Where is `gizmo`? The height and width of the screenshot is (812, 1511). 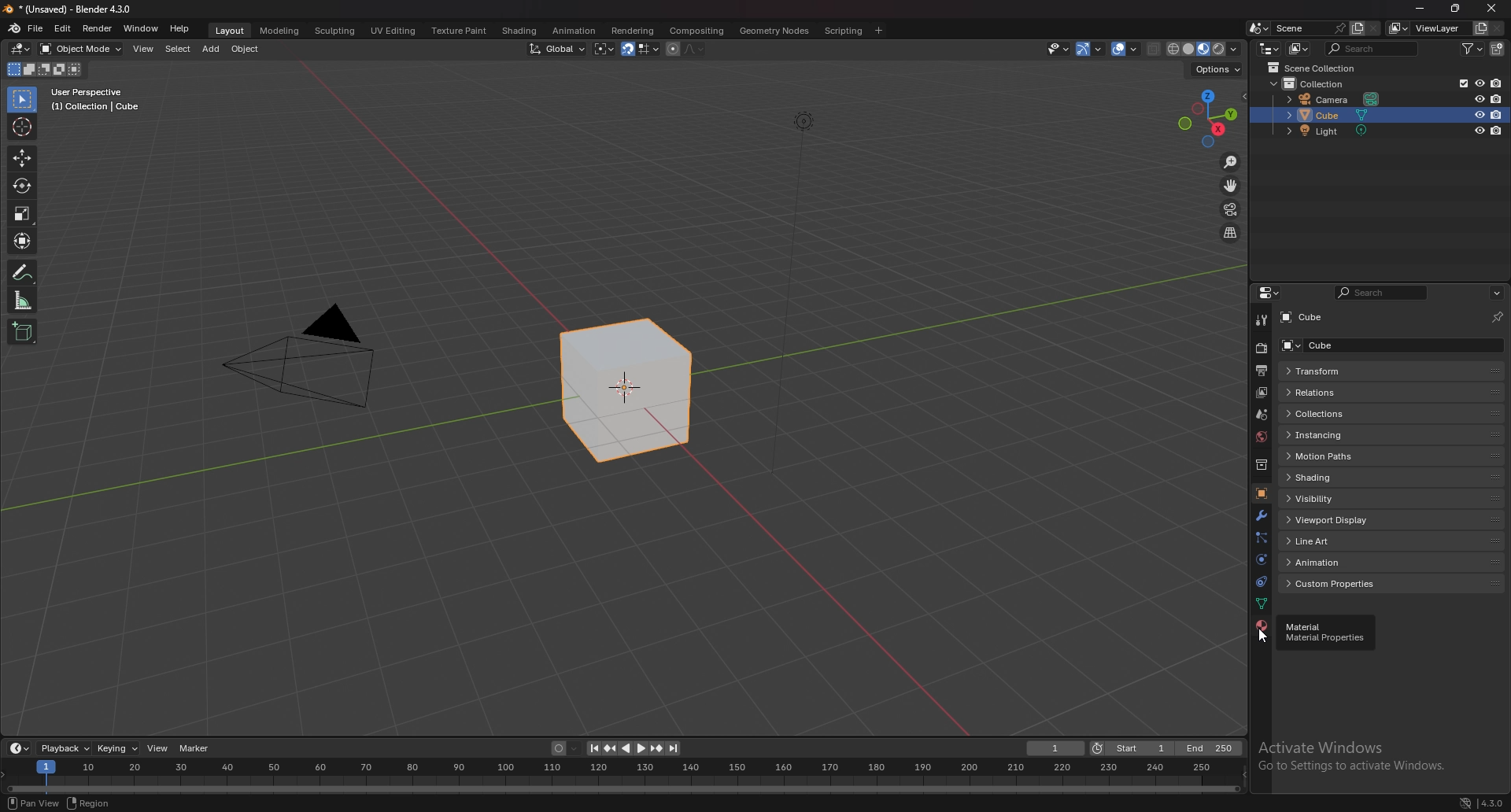
gizmo is located at coordinates (1093, 48).